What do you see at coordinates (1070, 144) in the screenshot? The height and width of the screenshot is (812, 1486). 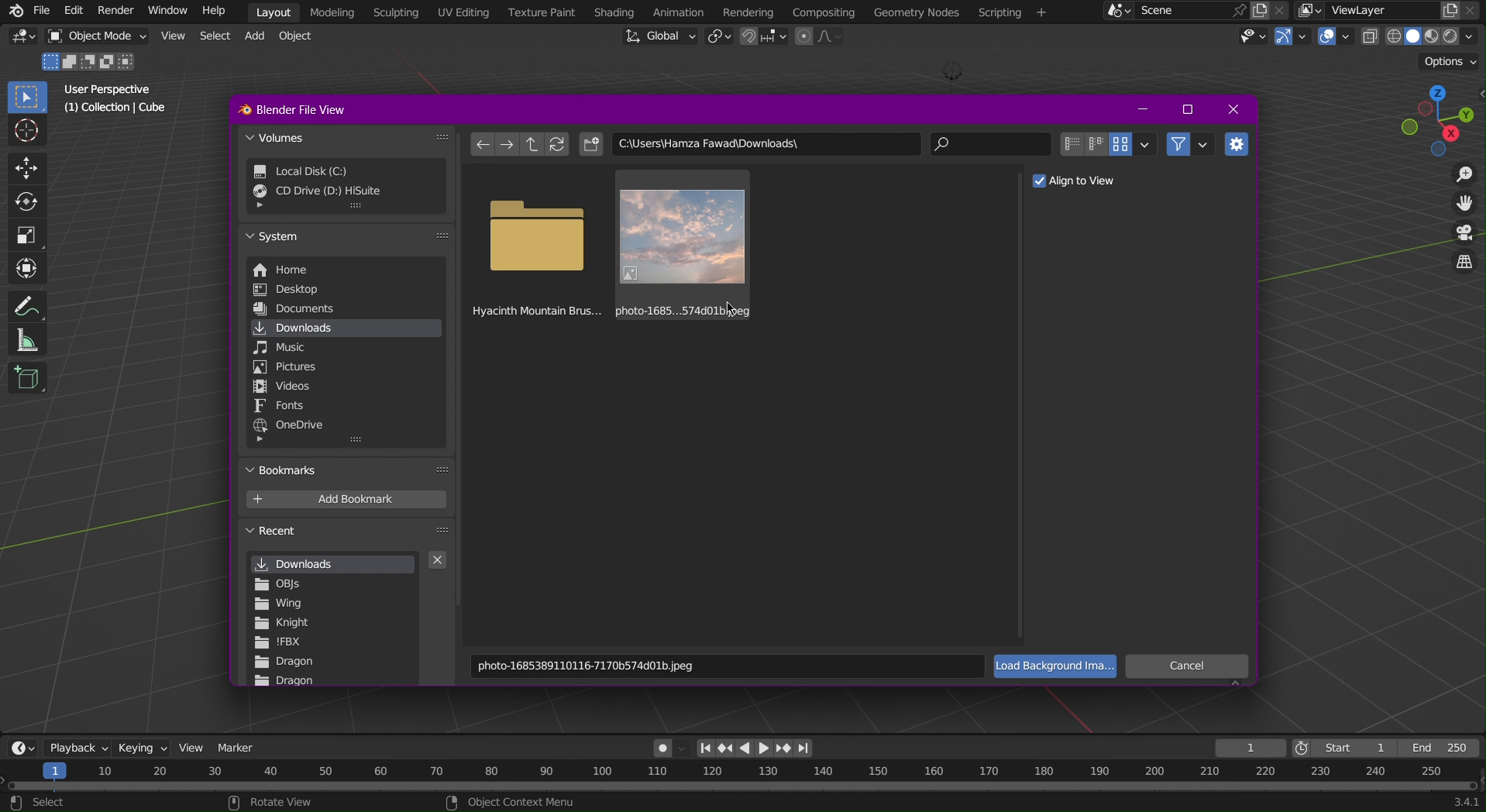 I see `Small tiles` at bounding box center [1070, 144].